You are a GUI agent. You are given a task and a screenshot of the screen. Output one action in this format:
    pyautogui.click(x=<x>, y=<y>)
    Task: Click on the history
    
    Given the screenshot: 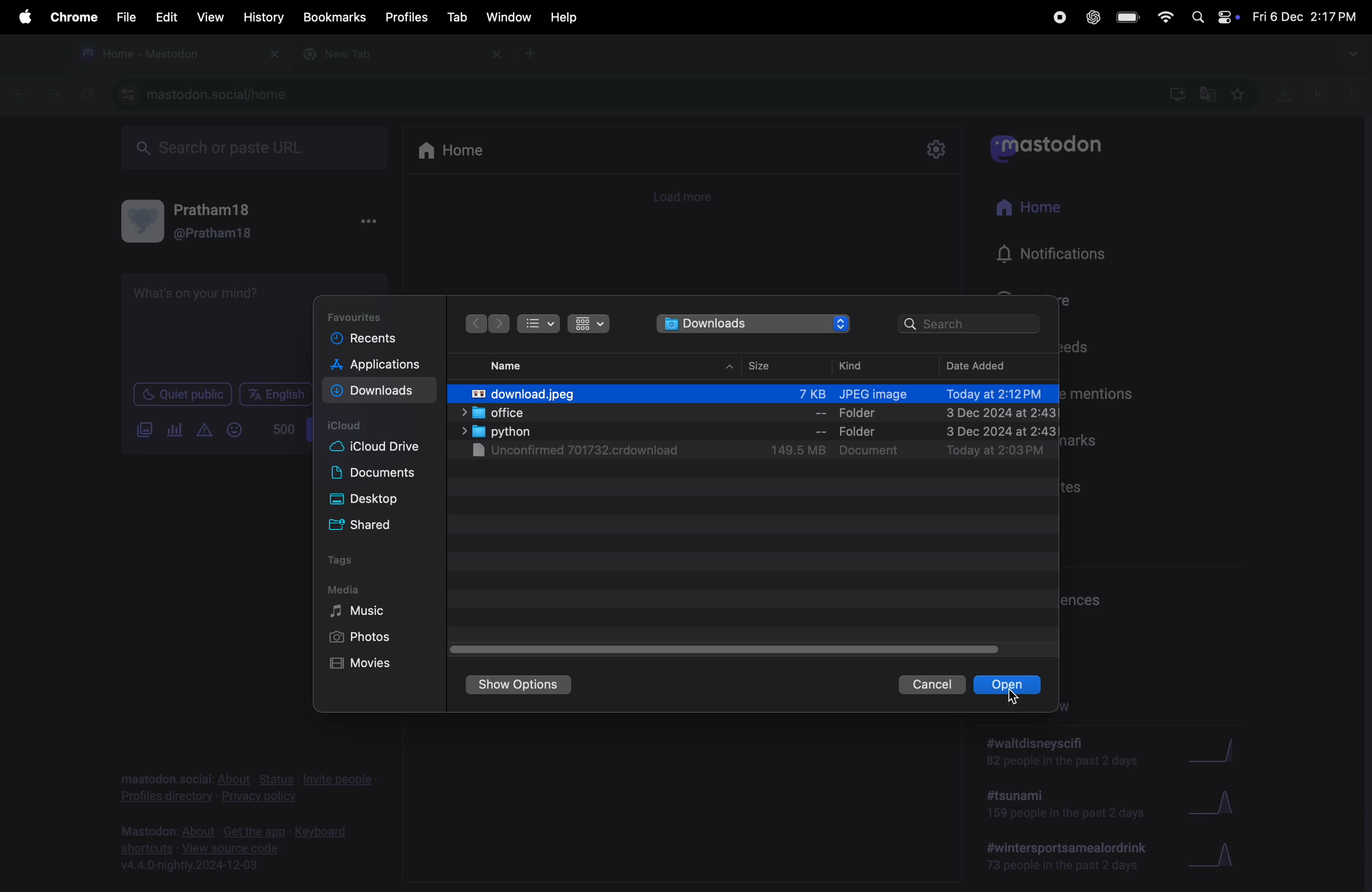 What is the action you would take?
    pyautogui.click(x=262, y=17)
    